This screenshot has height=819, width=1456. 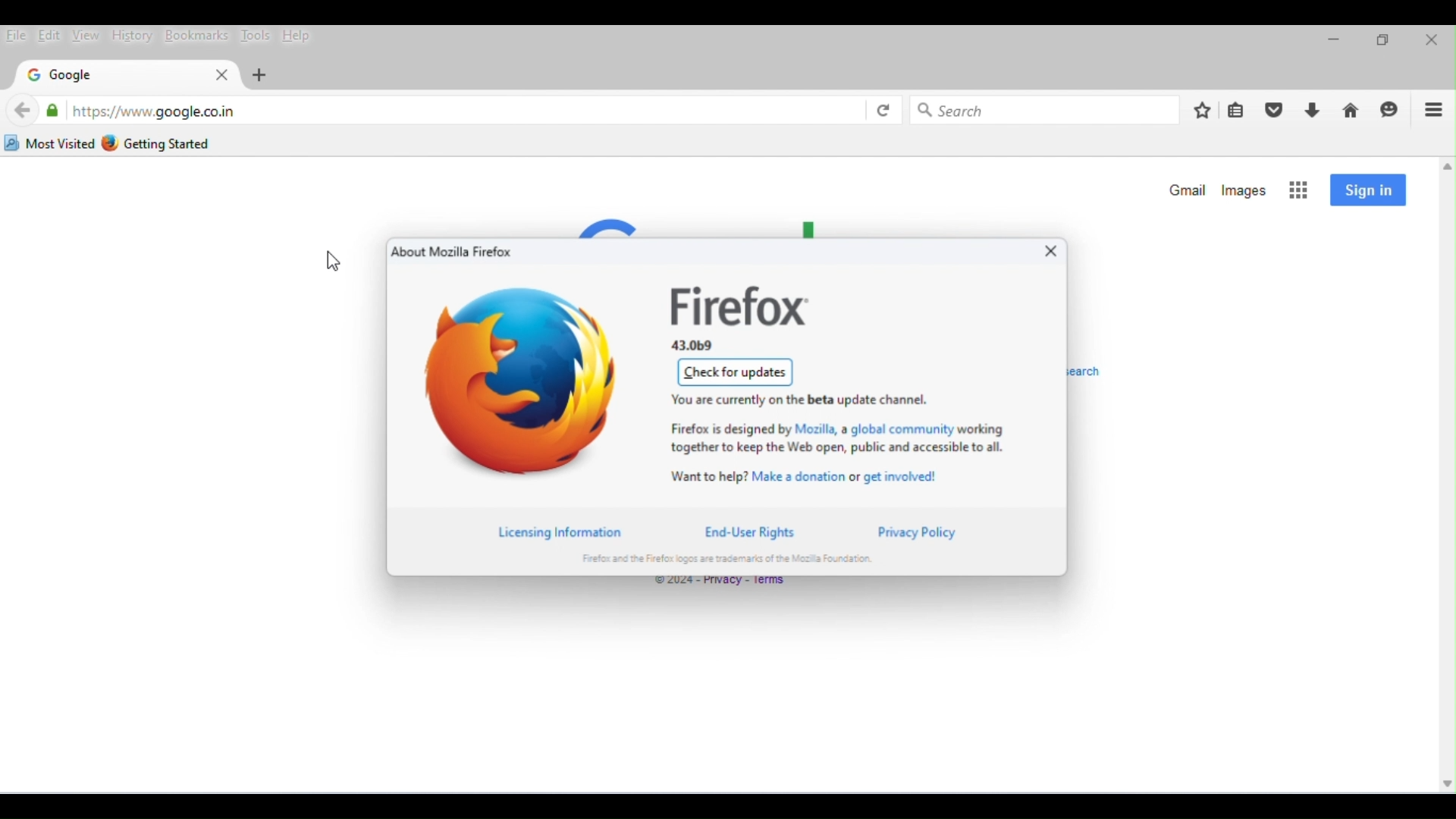 I want to click on about mozilla firefox, so click(x=453, y=253).